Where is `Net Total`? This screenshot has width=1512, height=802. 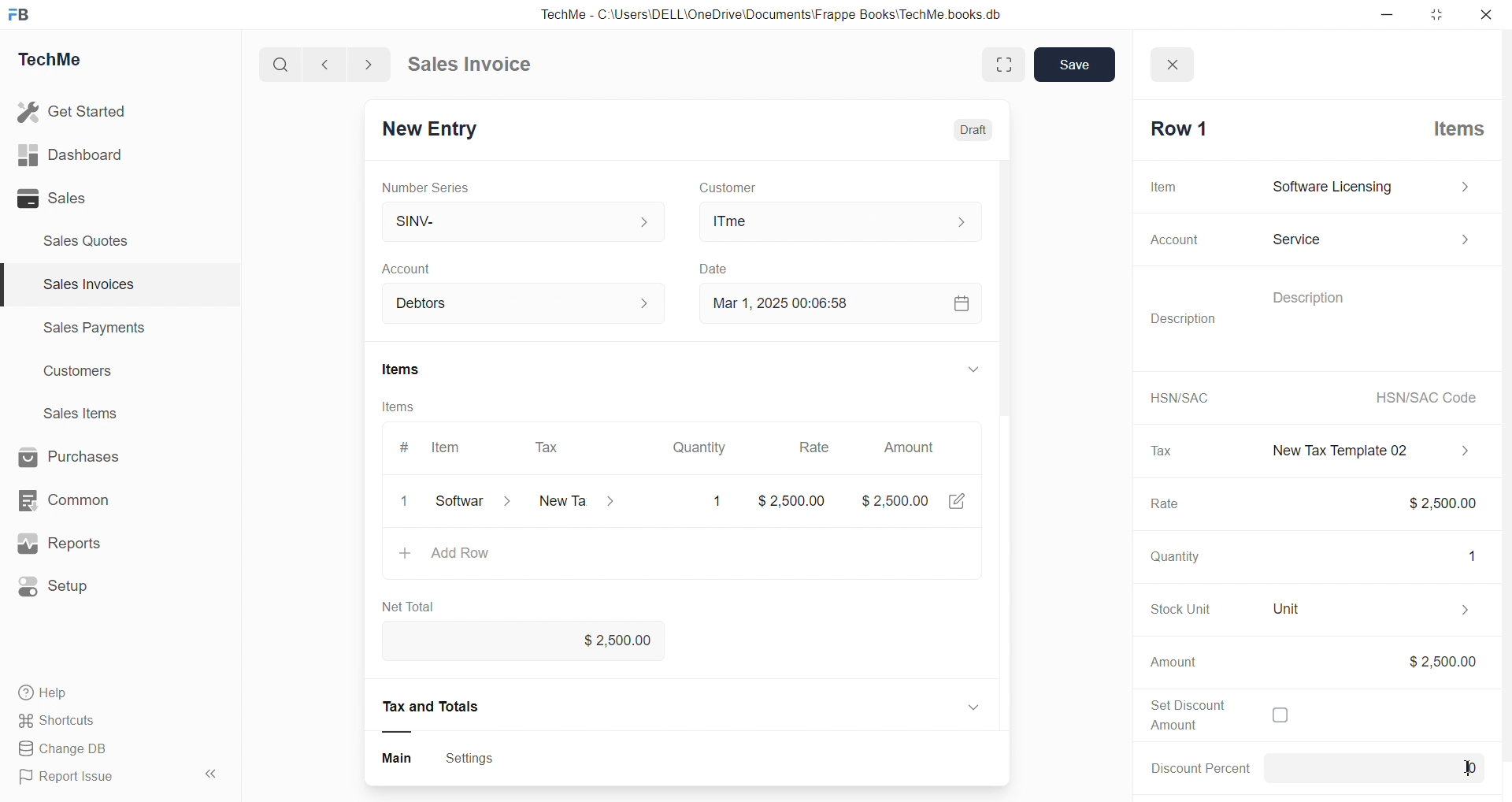
Net Total is located at coordinates (413, 607).